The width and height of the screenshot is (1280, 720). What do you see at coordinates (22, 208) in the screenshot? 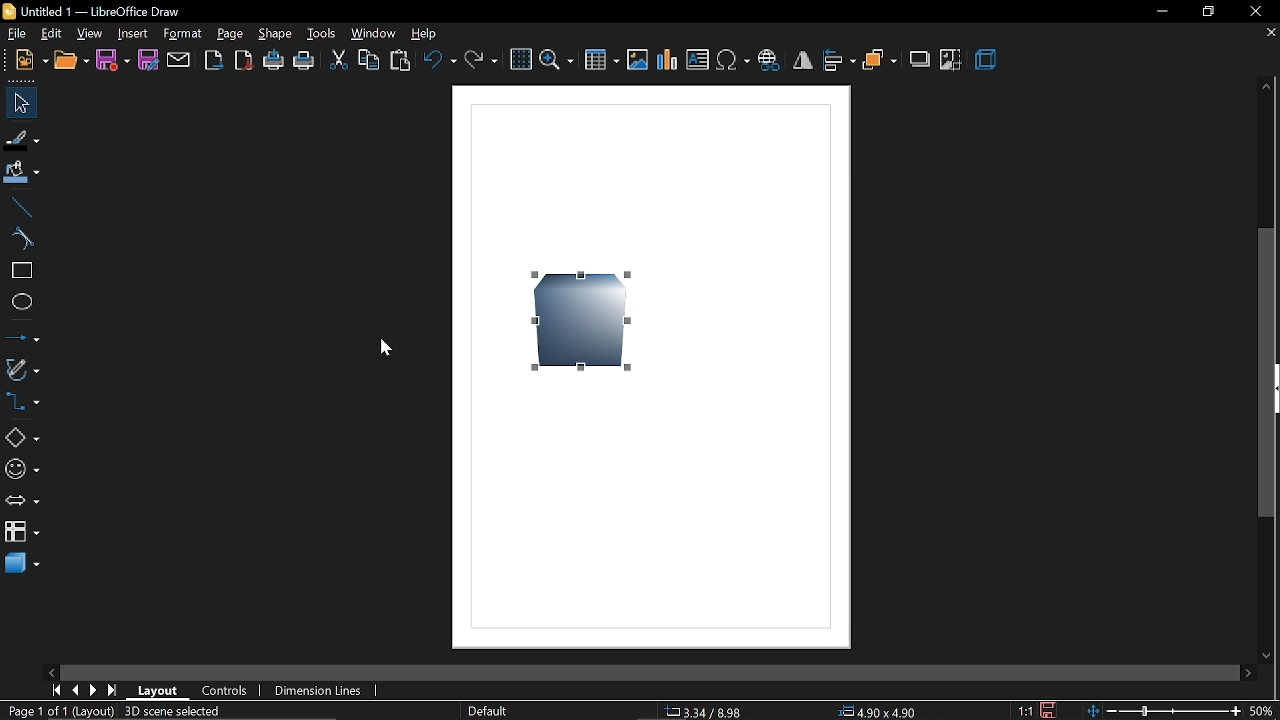
I see `line` at bounding box center [22, 208].